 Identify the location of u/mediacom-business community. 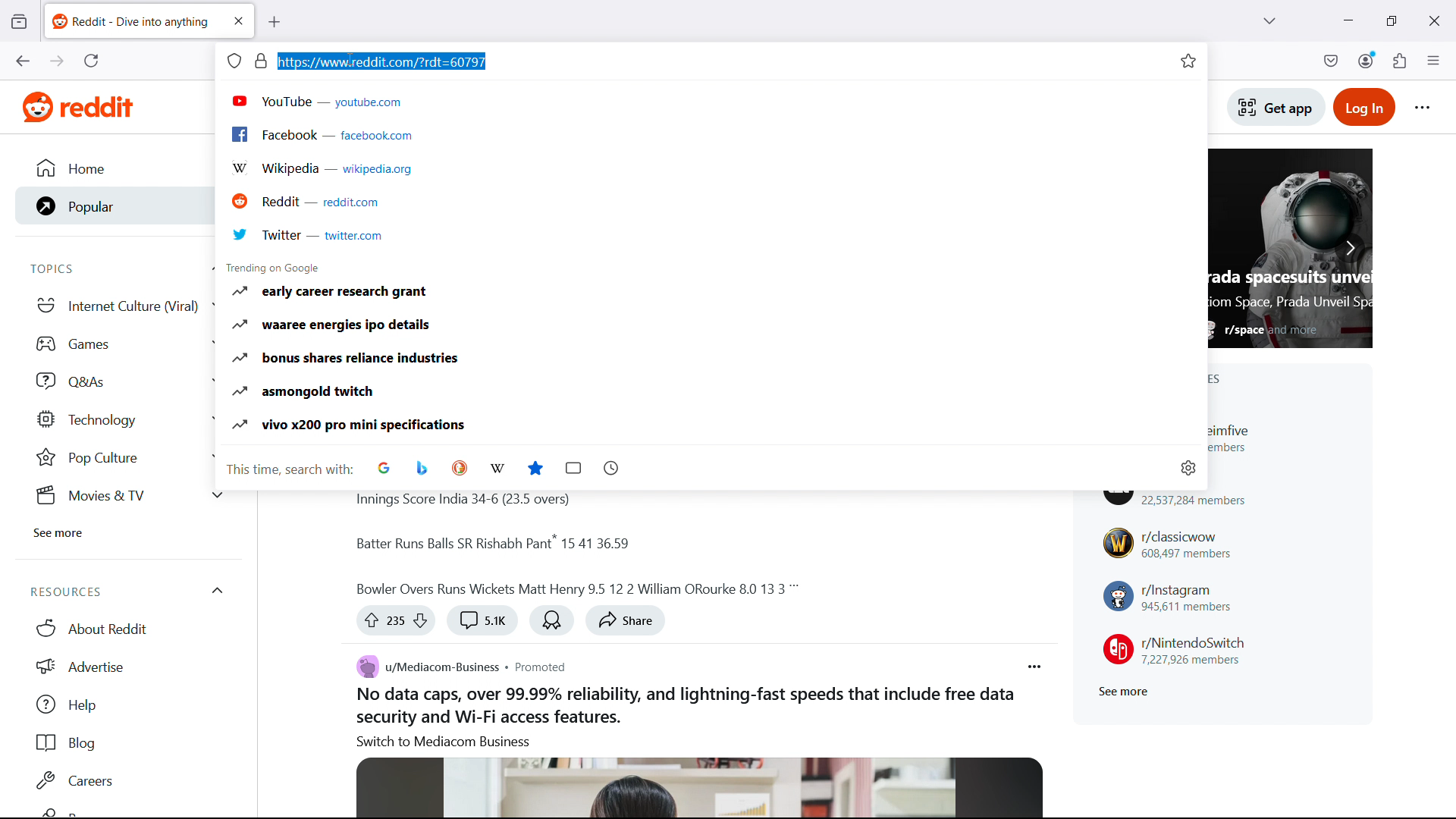
(423, 667).